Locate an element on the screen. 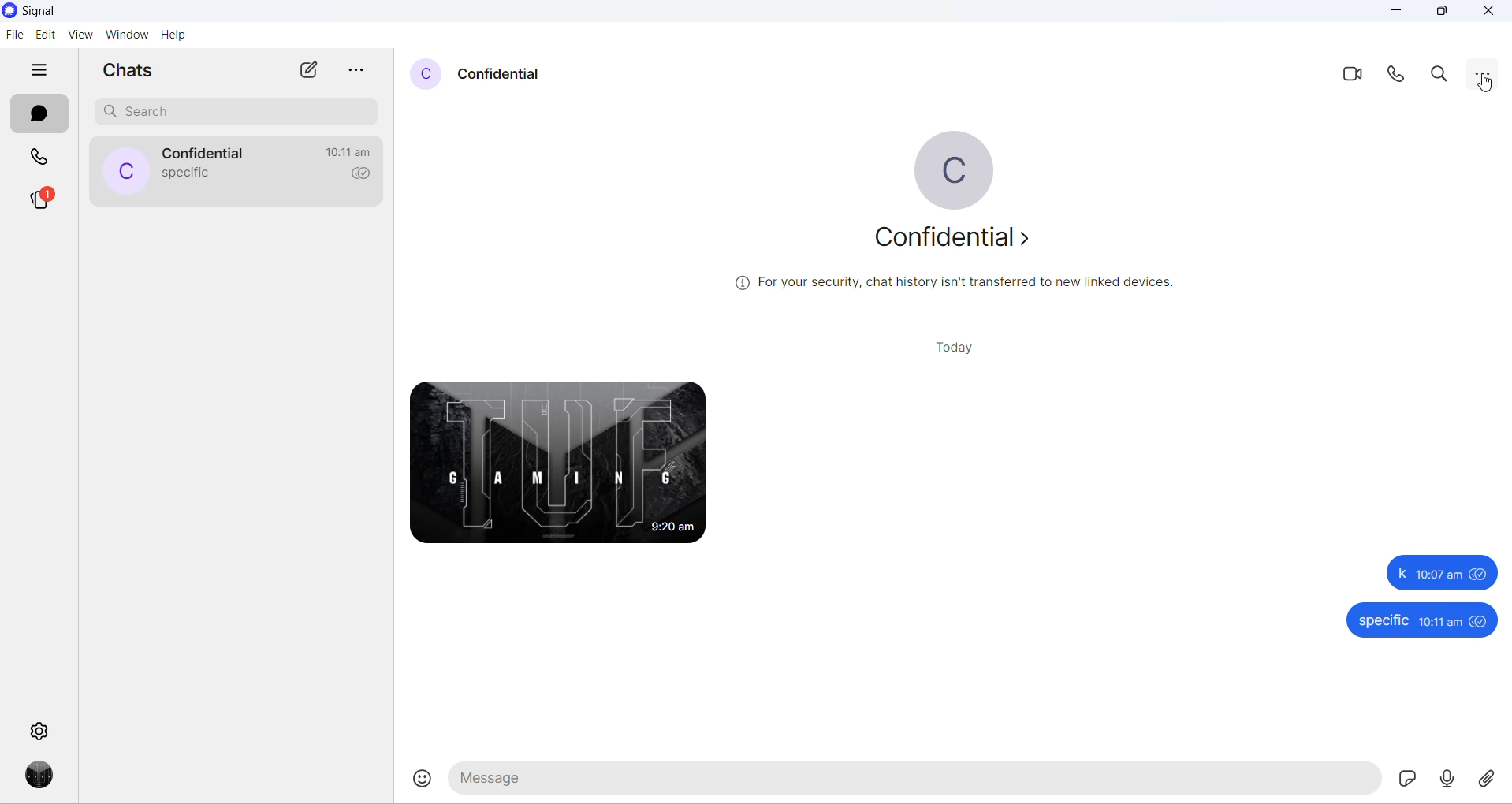 The height and width of the screenshot is (804, 1512). voice call is located at coordinates (1398, 77).